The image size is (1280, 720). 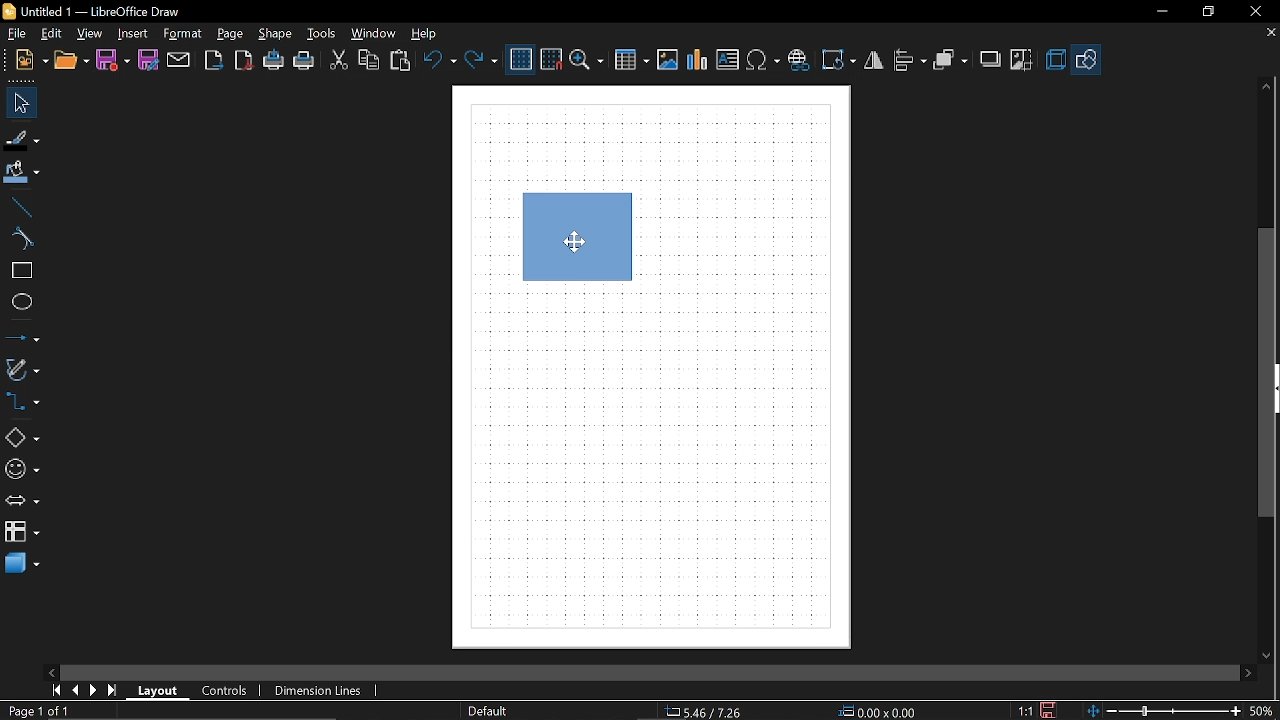 What do you see at coordinates (1161, 712) in the screenshot?
I see `Change Zoom` at bounding box center [1161, 712].